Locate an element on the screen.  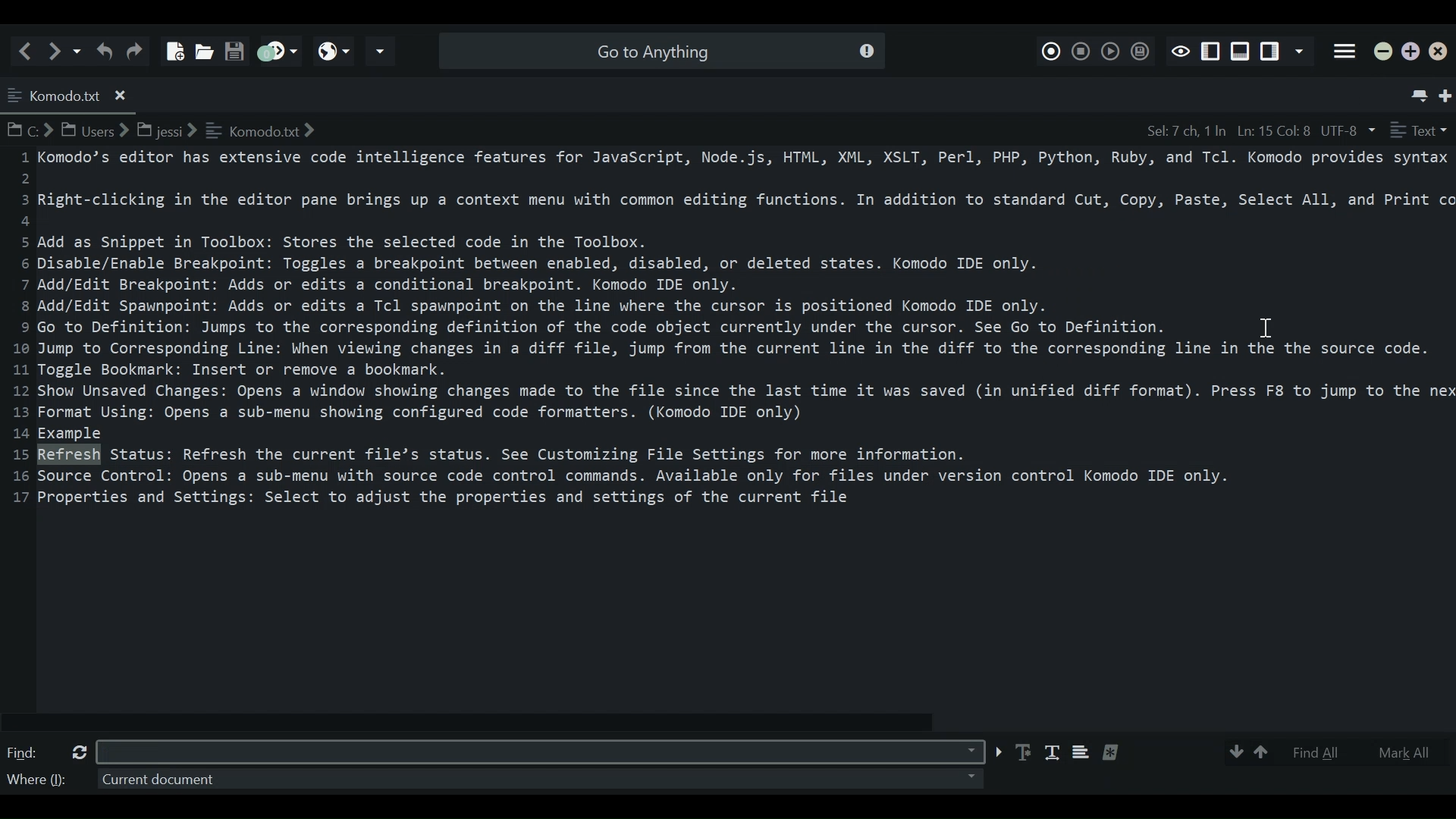
Undo is located at coordinates (104, 50).